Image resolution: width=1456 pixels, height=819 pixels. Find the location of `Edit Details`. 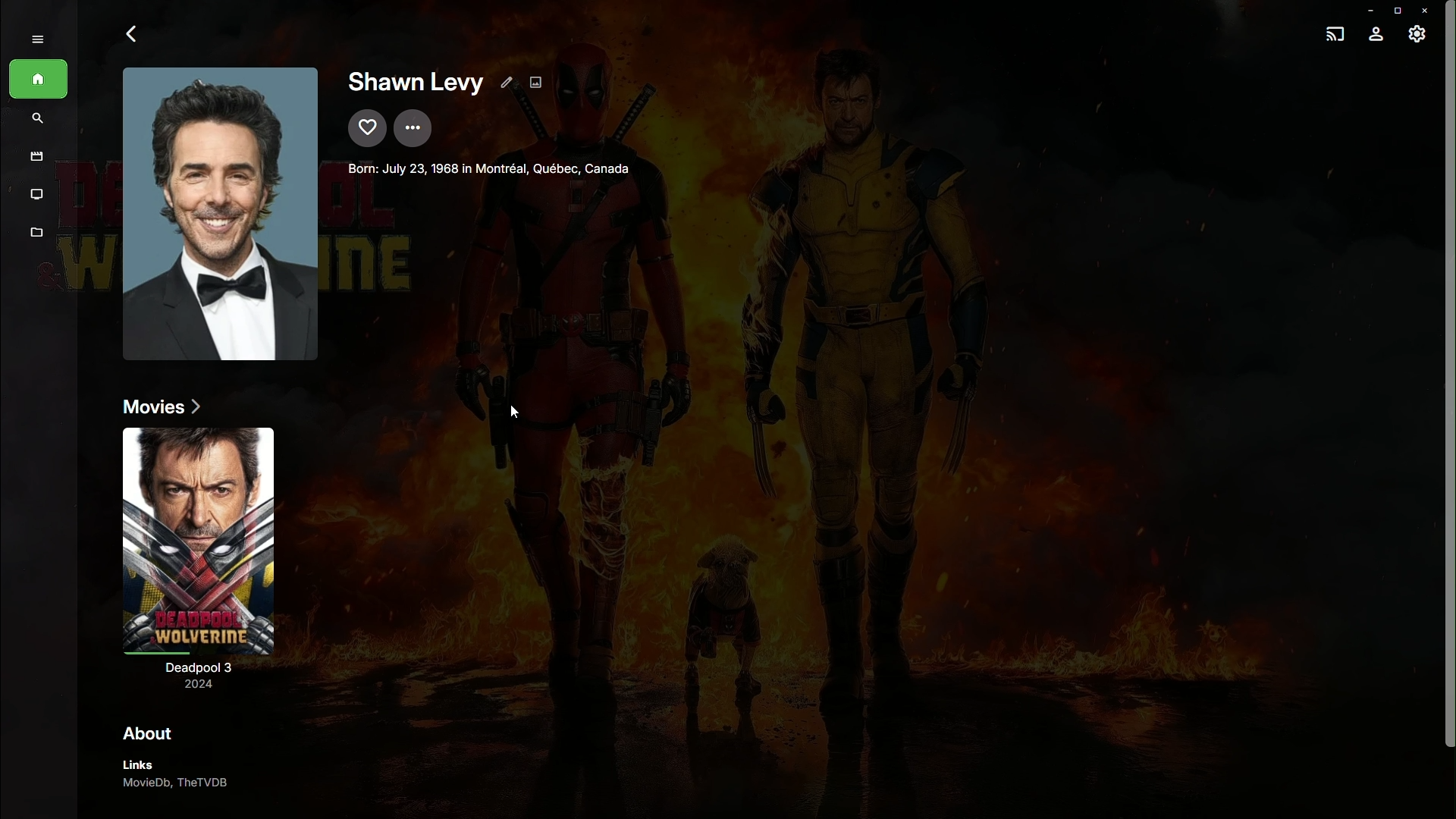

Edit Details is located at coordinates (528, 80).